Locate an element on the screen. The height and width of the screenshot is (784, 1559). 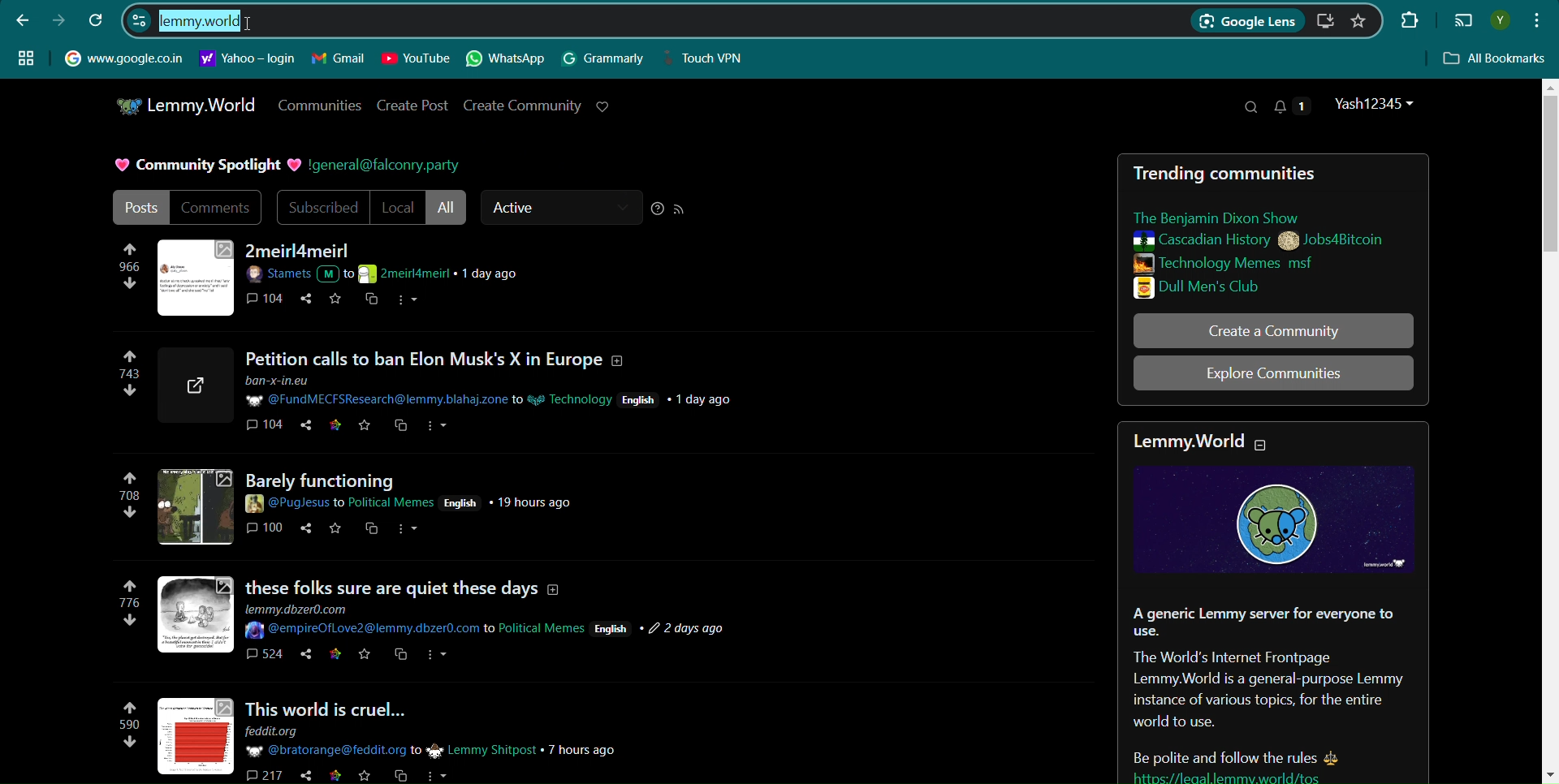
Create Post is located at coordinates (414, 106).